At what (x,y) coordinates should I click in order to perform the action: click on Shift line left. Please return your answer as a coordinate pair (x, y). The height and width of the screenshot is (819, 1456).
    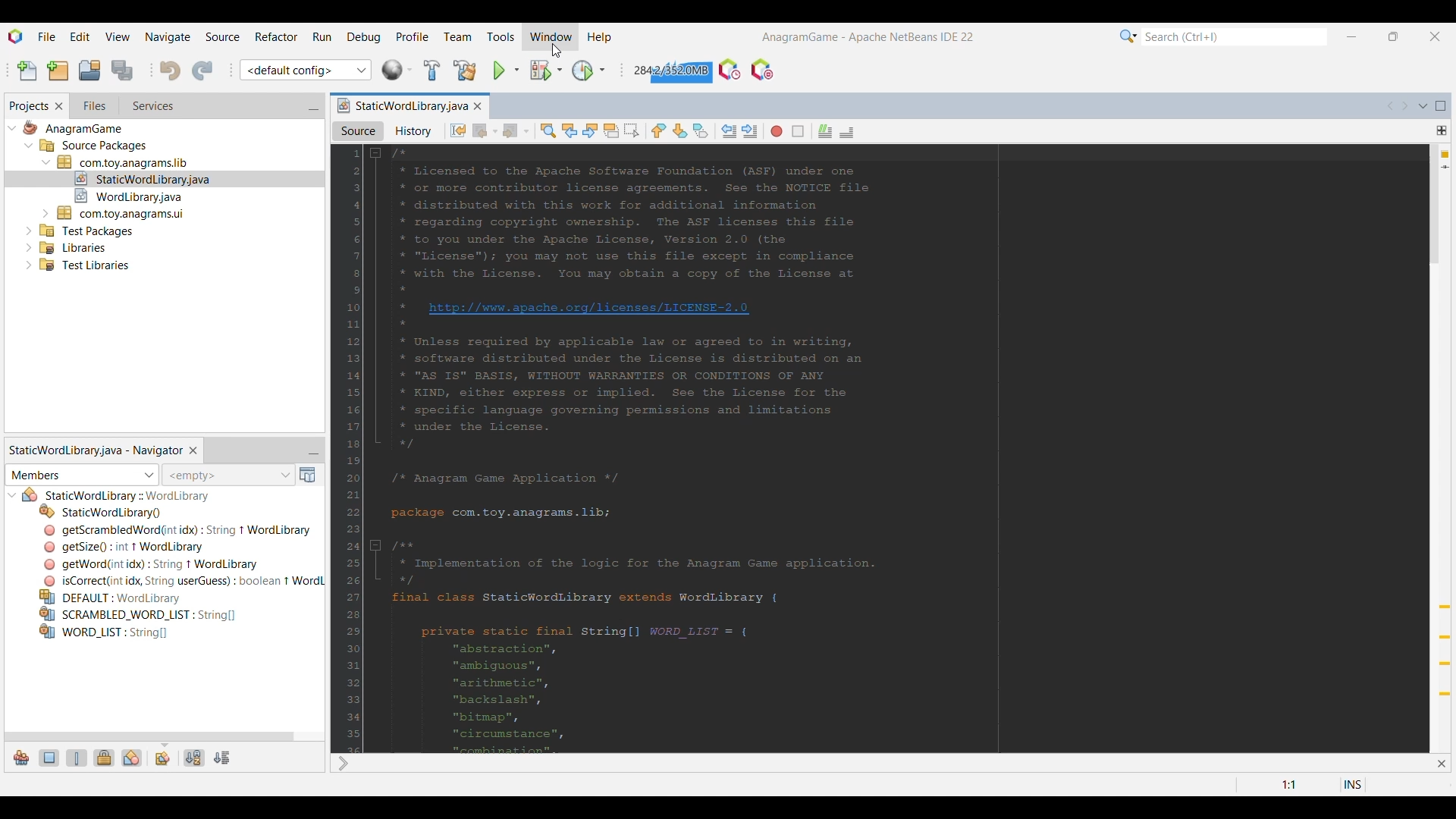
    Looking at the image, I should click on (730, 131).